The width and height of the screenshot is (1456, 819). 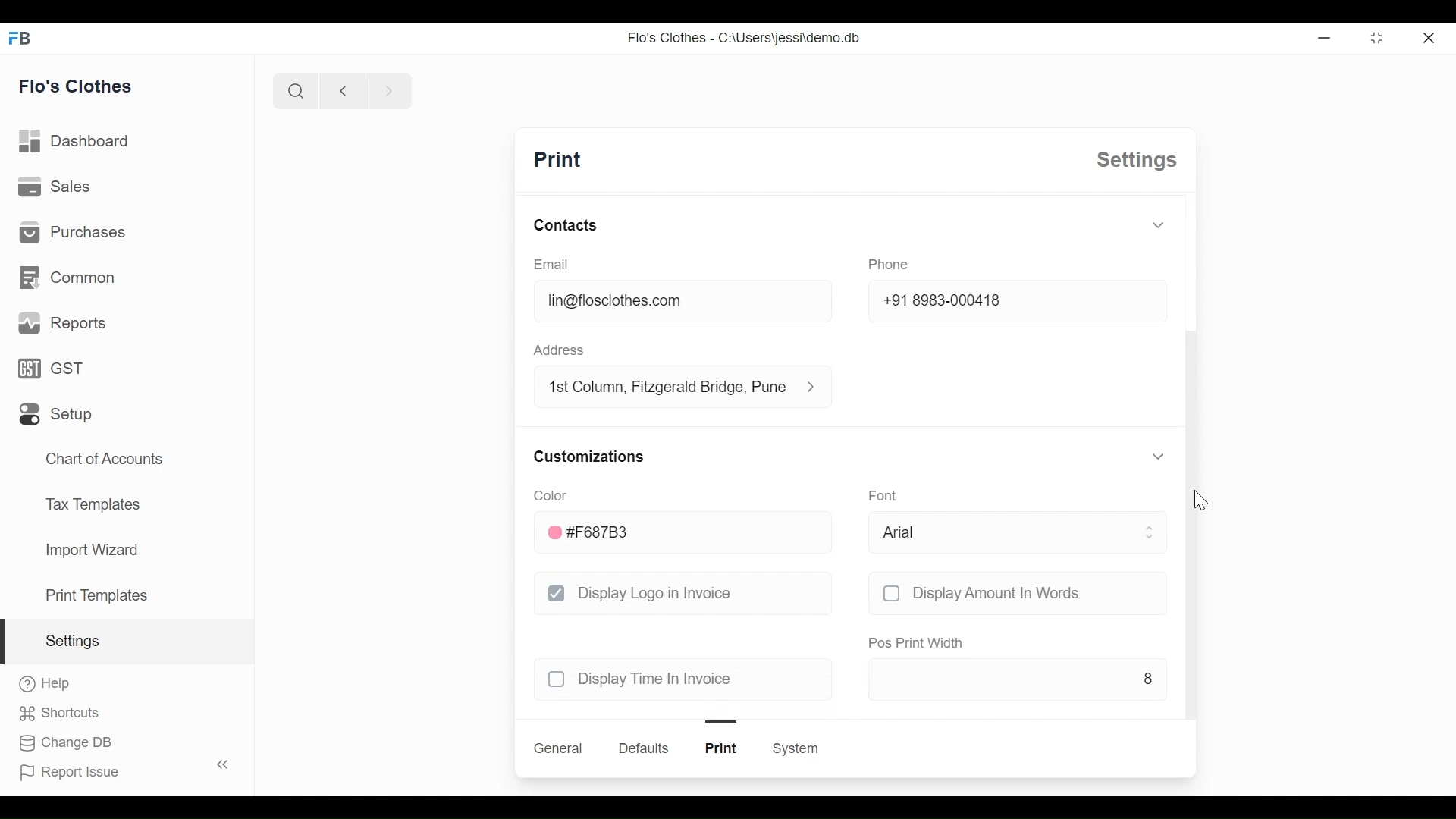 I want to click on checkbox, so click(x=557, y=593).